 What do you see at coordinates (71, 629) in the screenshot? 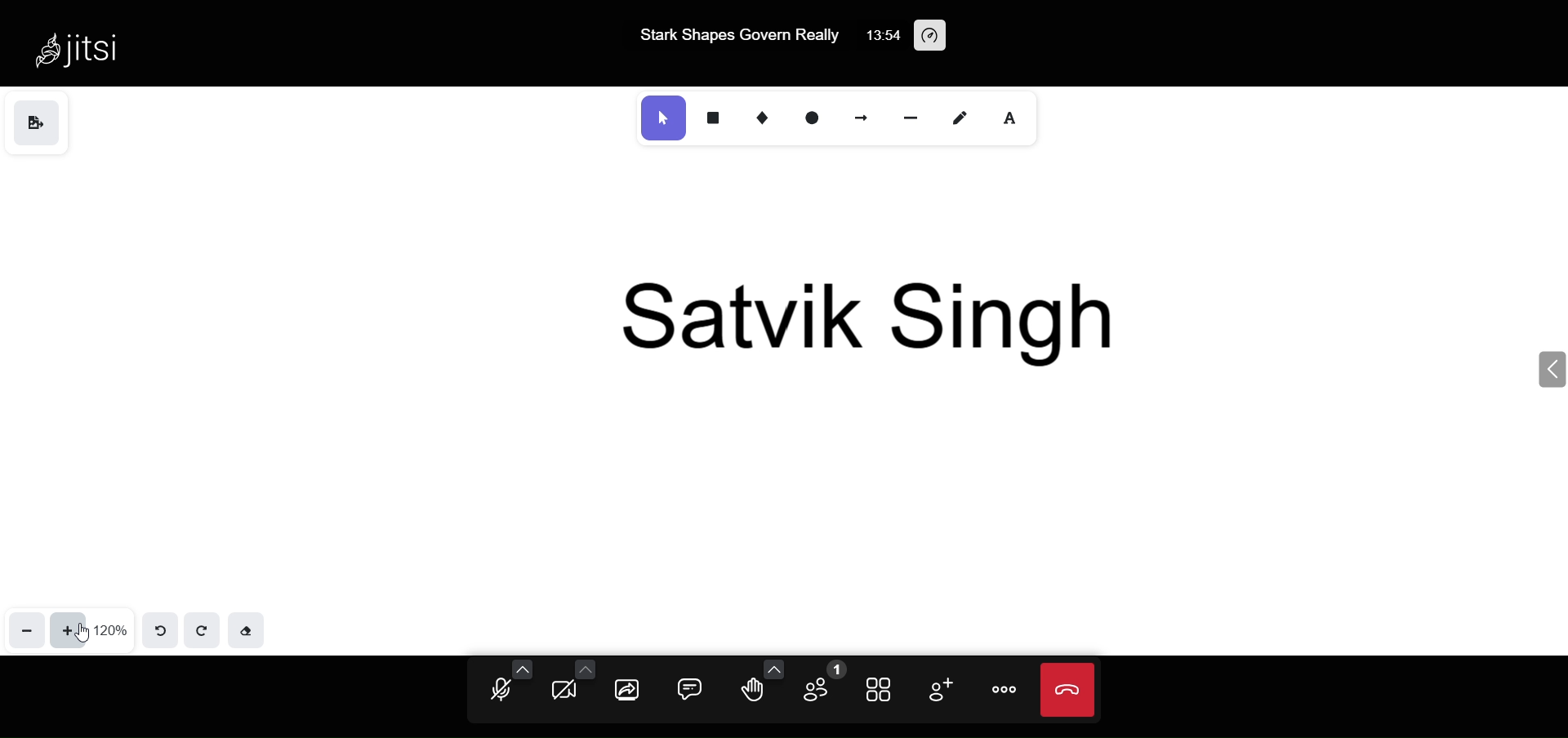
I see `zoom in` at bounding box center [71, 629].